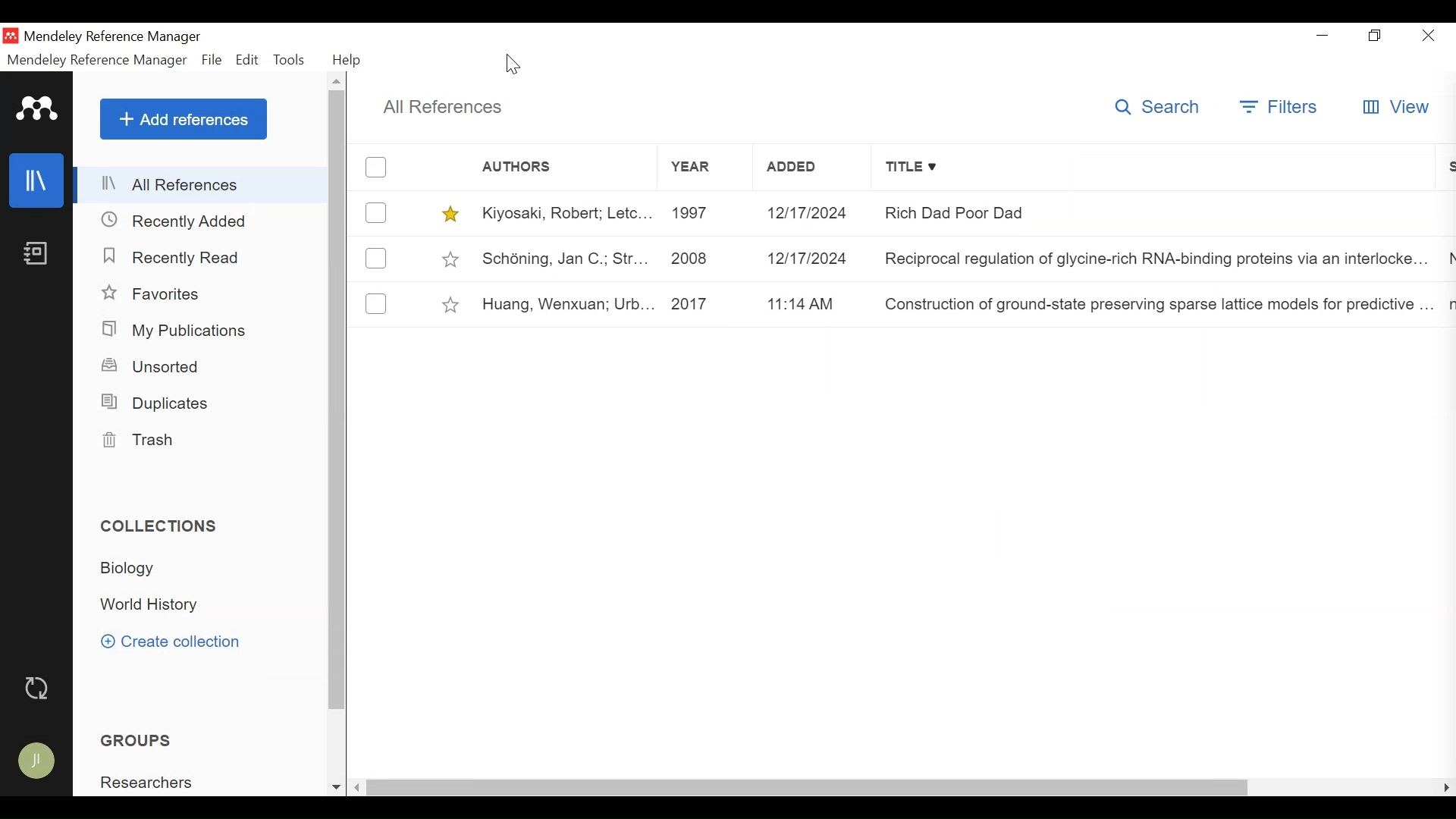 The width and height of the screenshot is (1456, 819). I want to click on Groups, so click(135, 740).